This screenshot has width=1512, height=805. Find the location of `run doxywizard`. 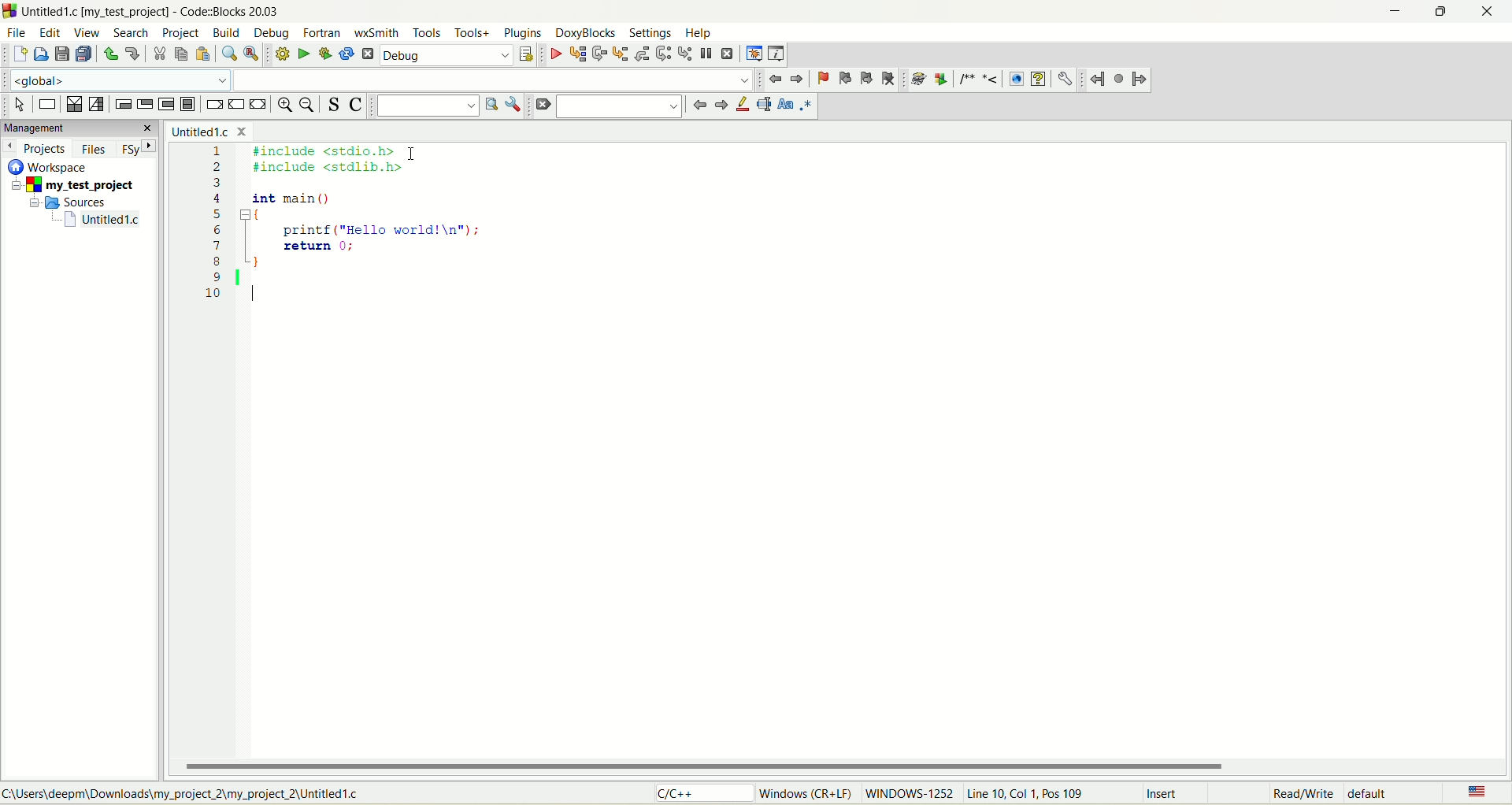

run doxywizard is located at coordinates (920, 78).